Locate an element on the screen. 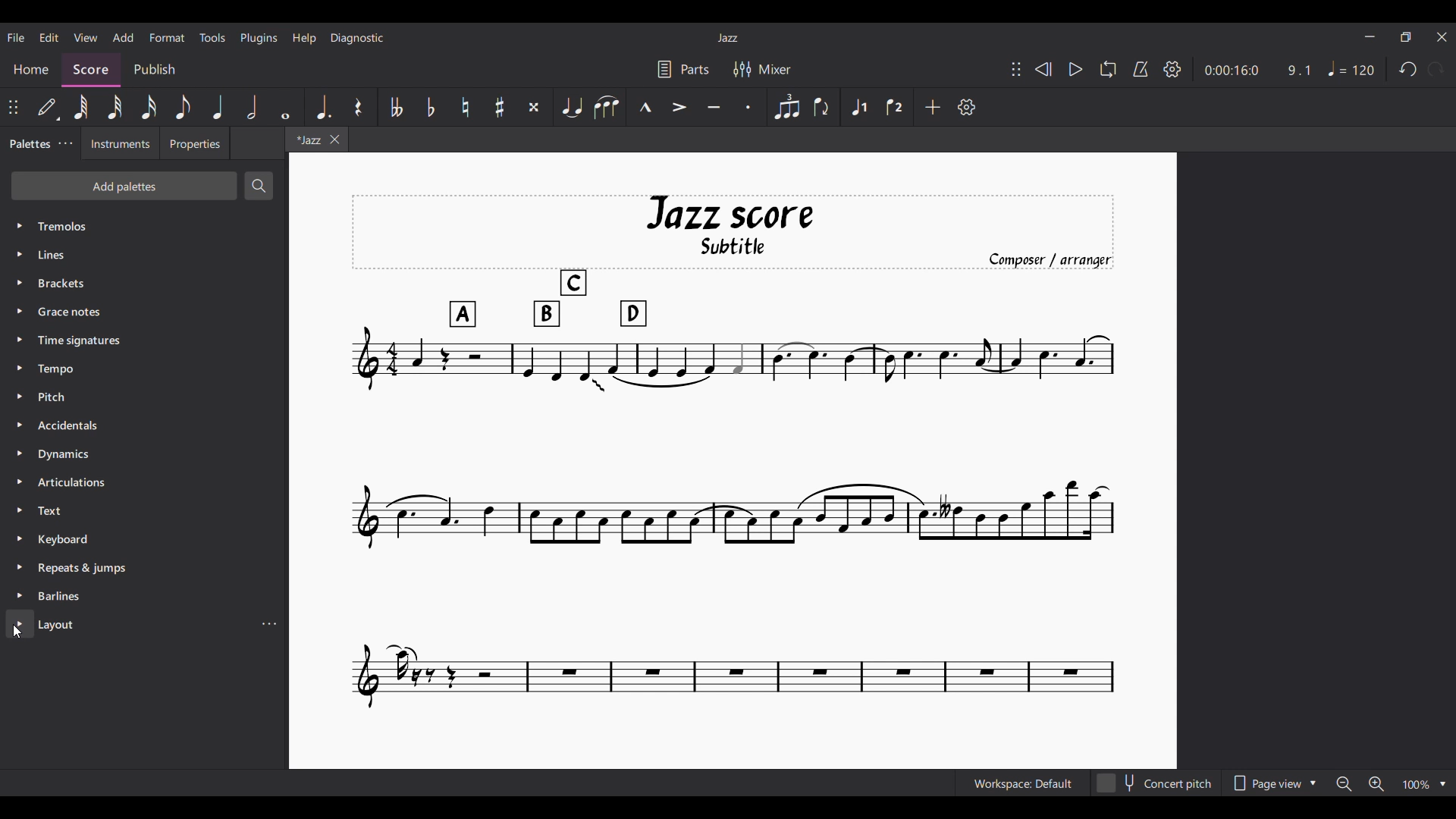 The width and height of the screenshot is (1456, 819). Page view options is located at coordinates (1274, 783).